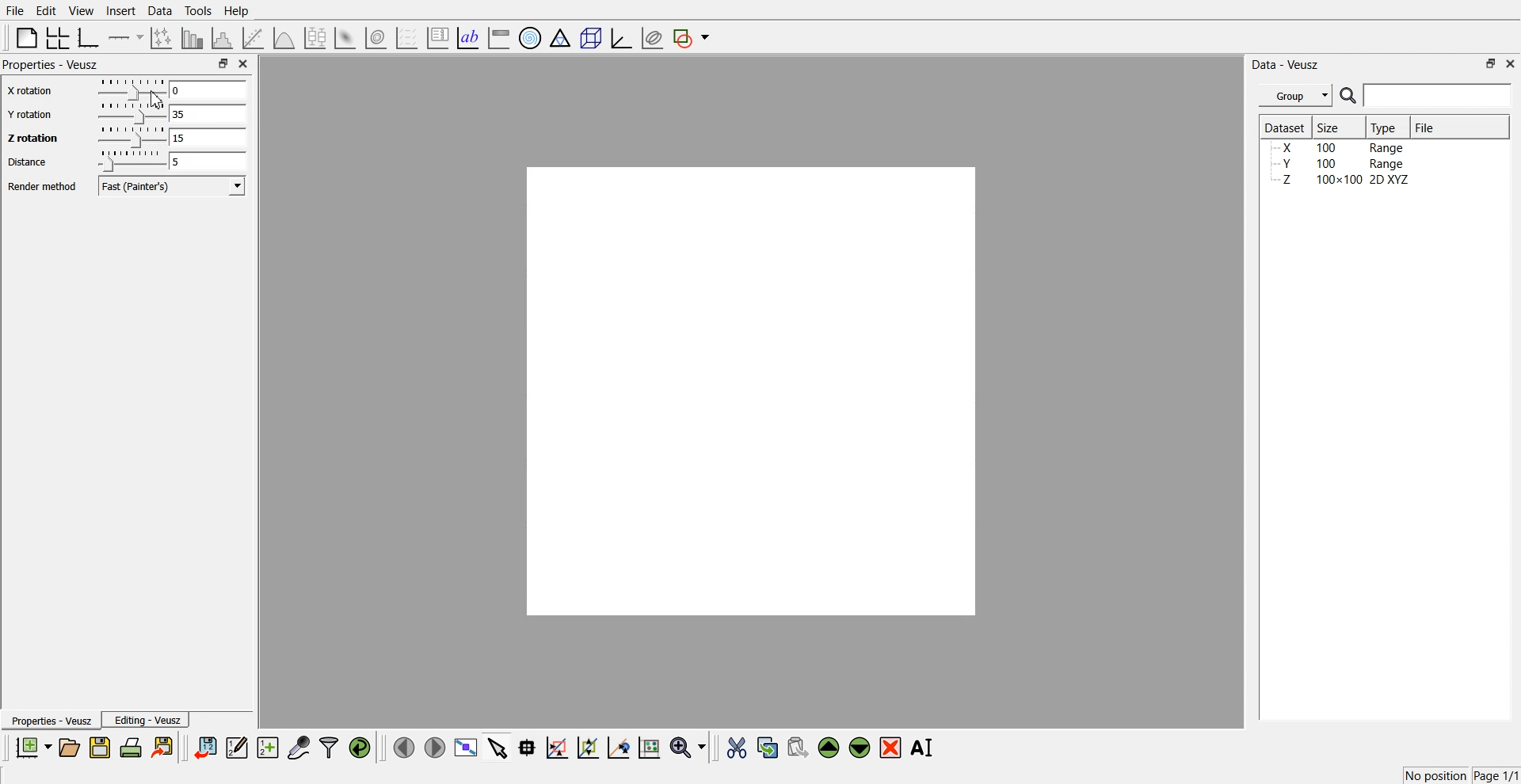 Image resolution: width=1521 pixels, height=784 pixels. What do you see at coordinates (406, 39) in the screenshot?
I see `Plot a vector field` at bounding box center [406, 39].